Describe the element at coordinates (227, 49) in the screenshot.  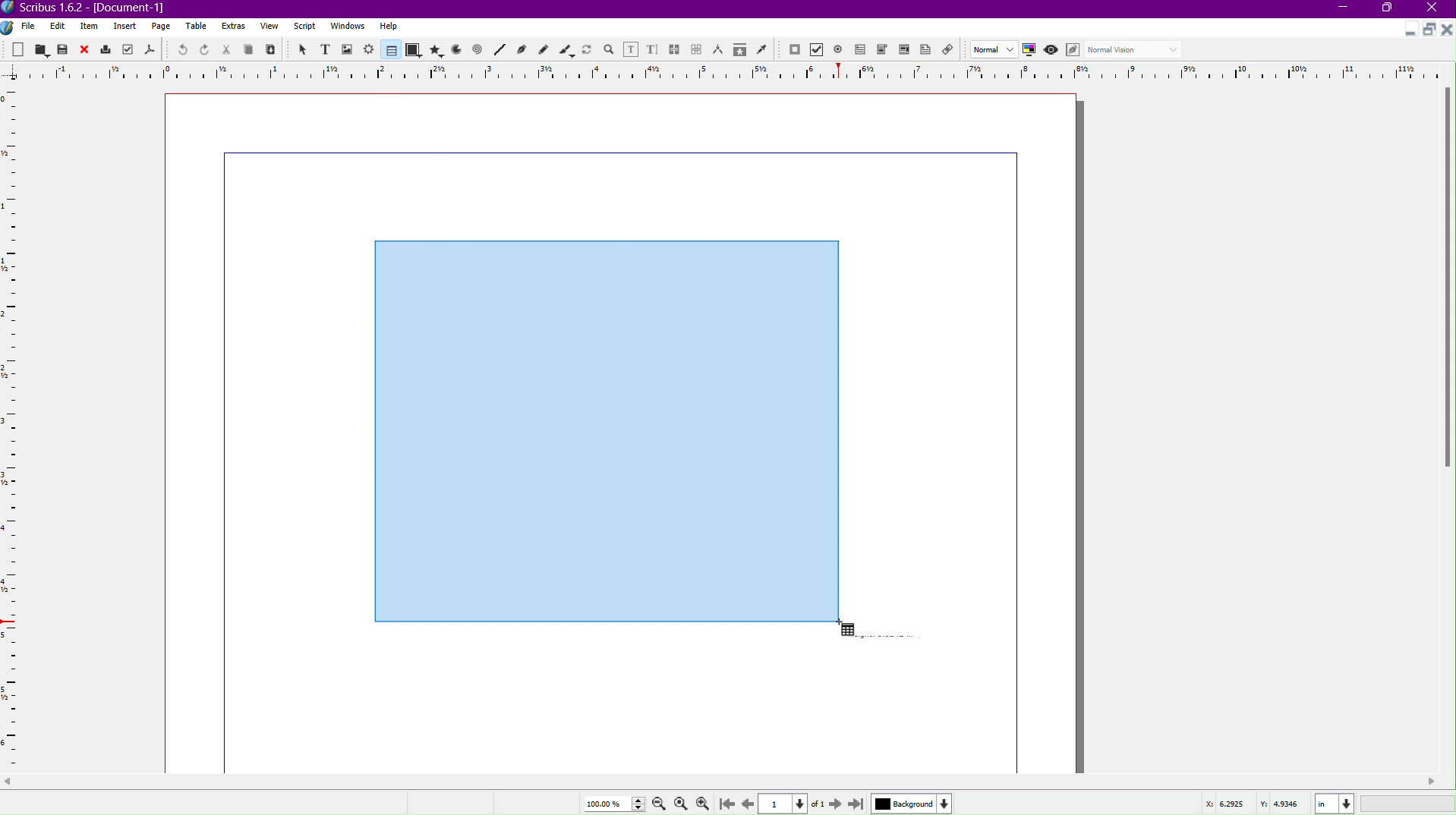
I see `Cut` at that location.